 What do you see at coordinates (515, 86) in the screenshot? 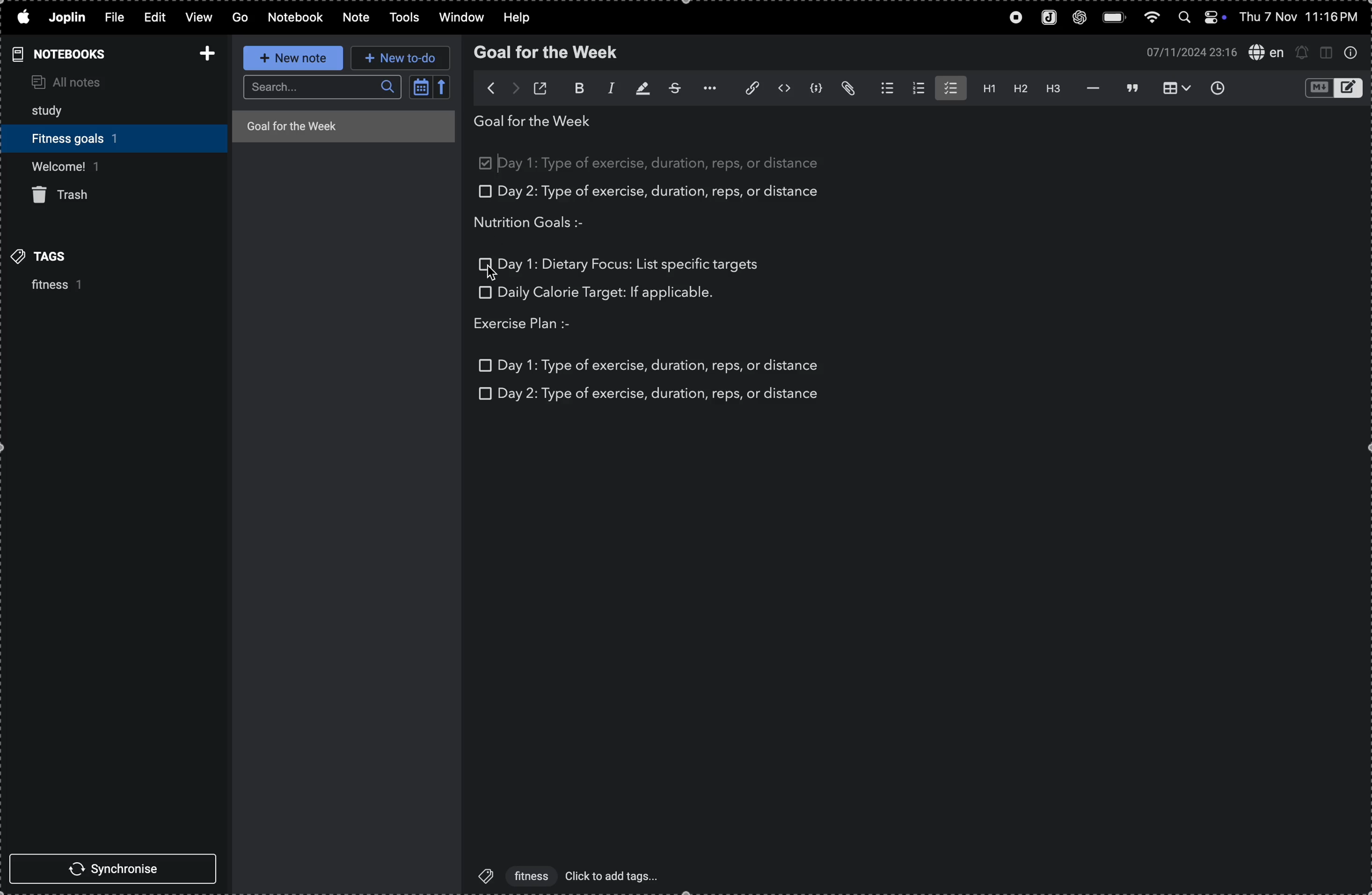
I see `forward` at bounding box center [515, 86].